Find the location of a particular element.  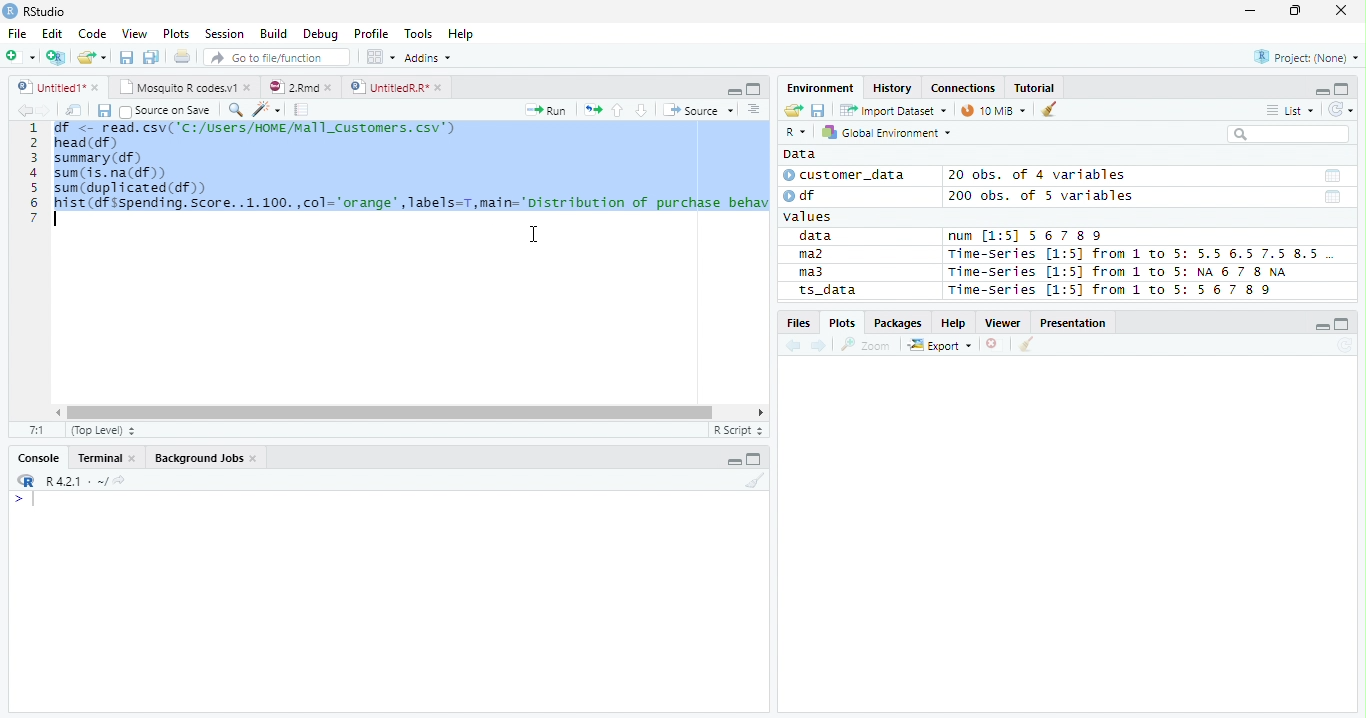

Scroll is located at coordinates (407, 414).